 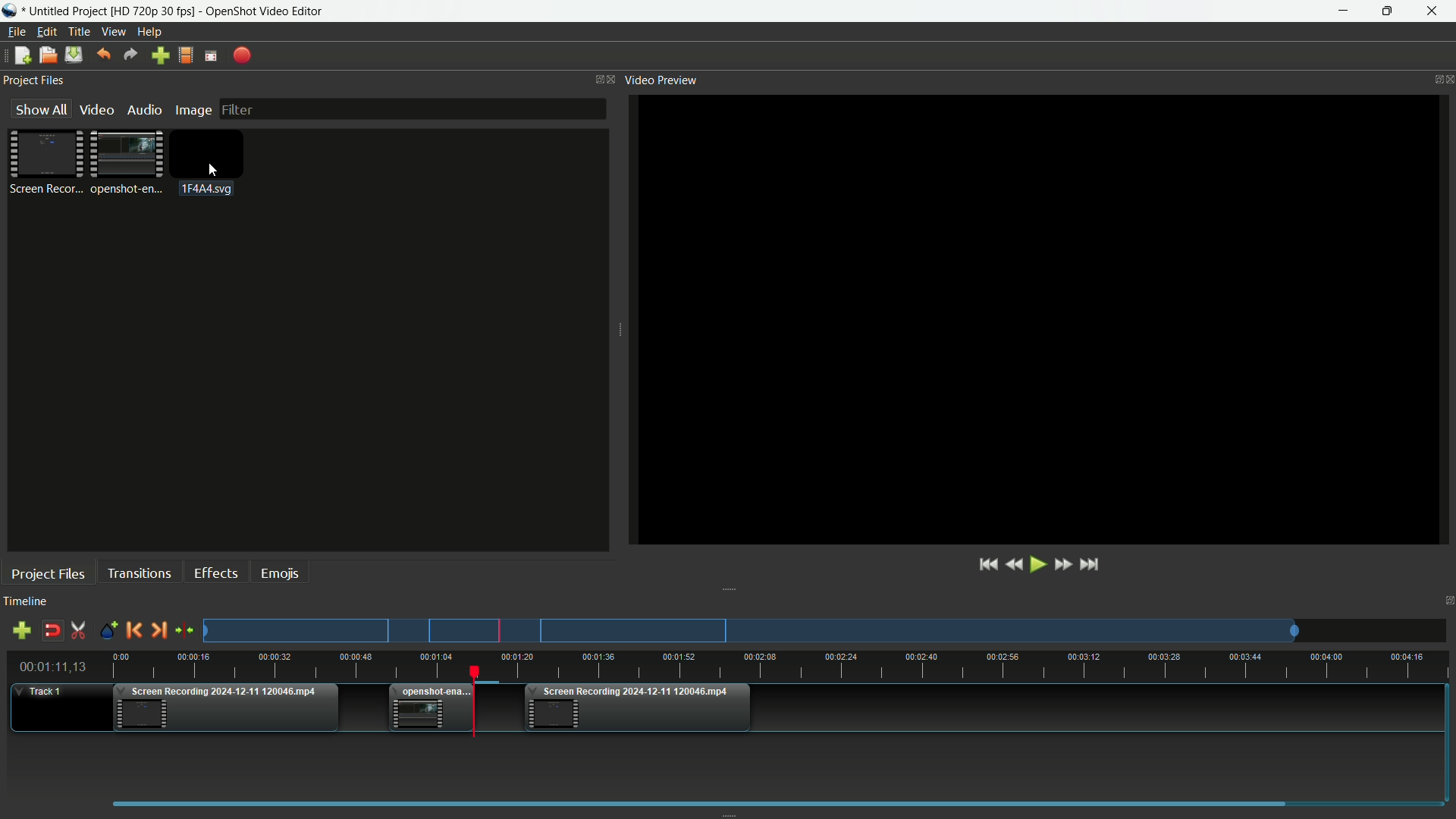 I want to click on Quick play forward, so click(x=1062, y=564).